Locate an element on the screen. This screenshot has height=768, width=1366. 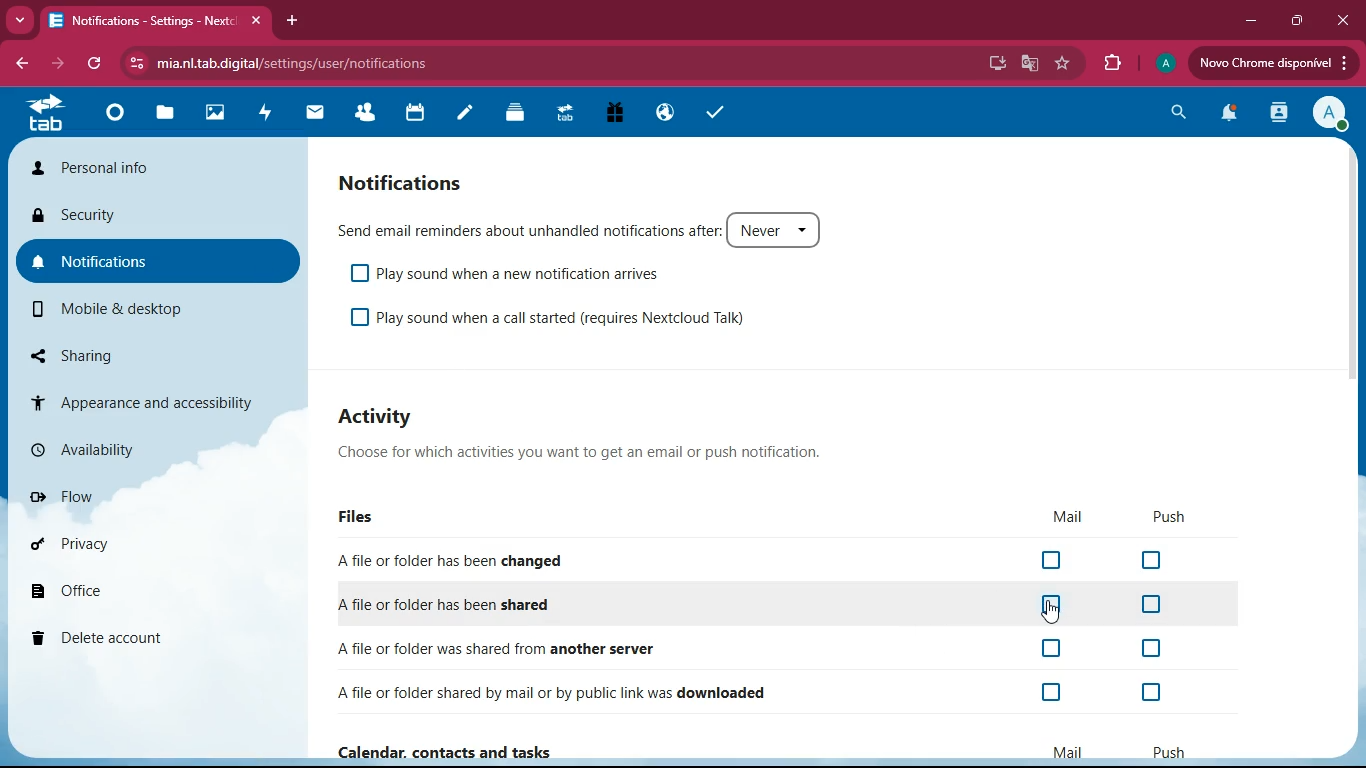
home is located at coordinates (114, 117).